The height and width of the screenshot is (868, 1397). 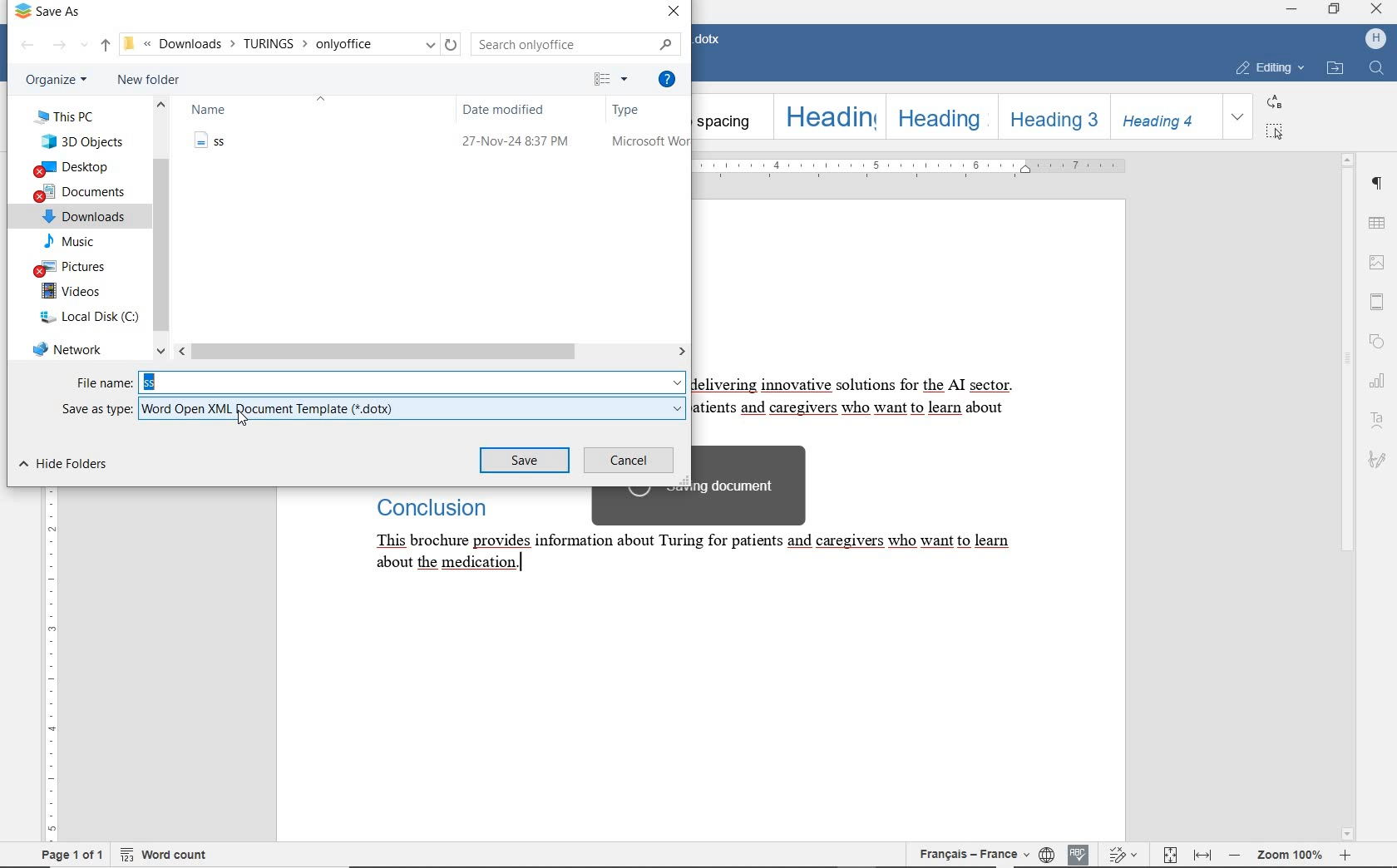 What do you see at coordinates (73, 855) in the screenshot?
I see `PAGE 1 OF 1` at bounding box center [73, 855].